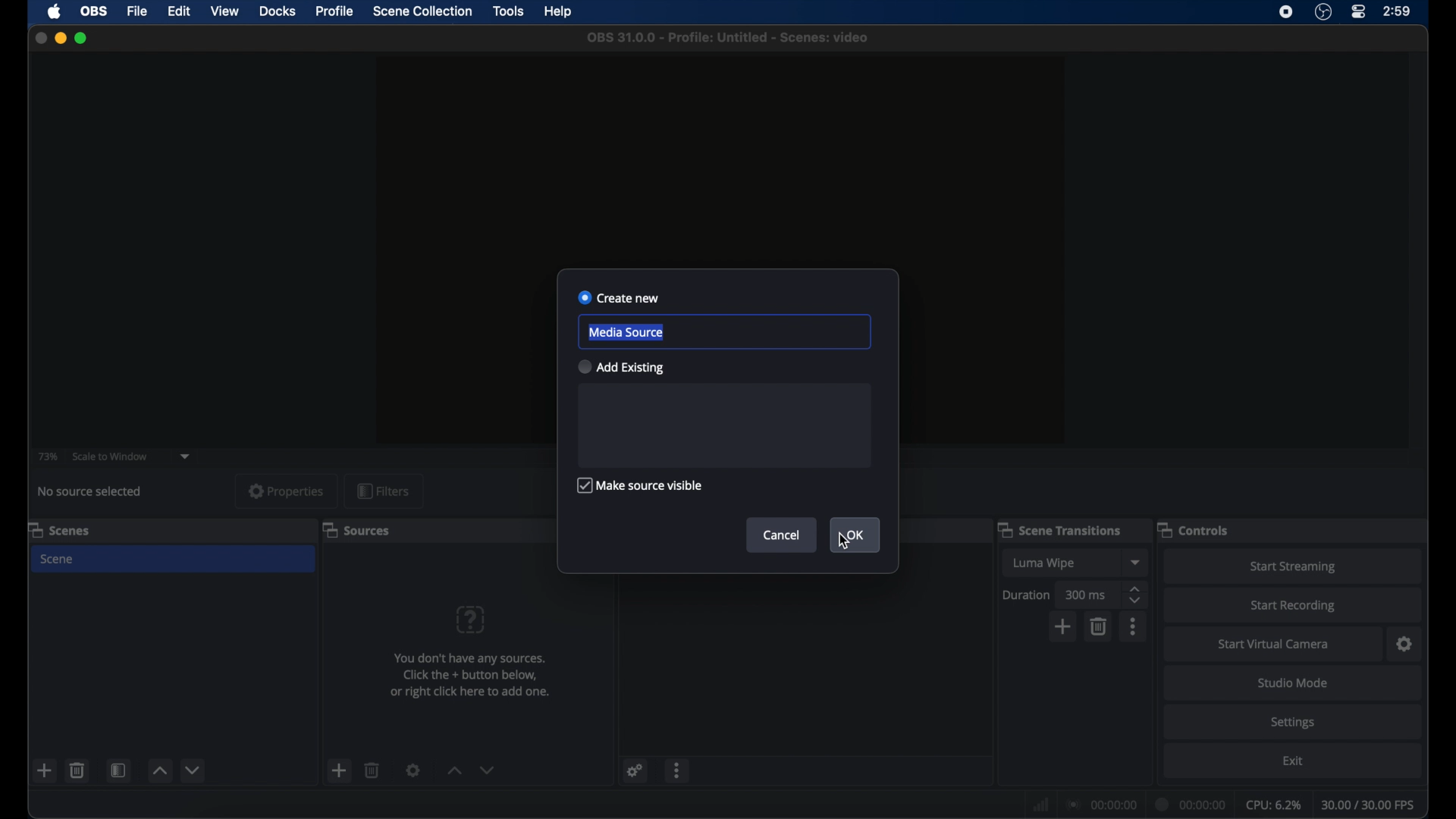 Image resolution: width=1456 pixels, height=819 pixels. I want to click on make source visible, so click(641, 485).